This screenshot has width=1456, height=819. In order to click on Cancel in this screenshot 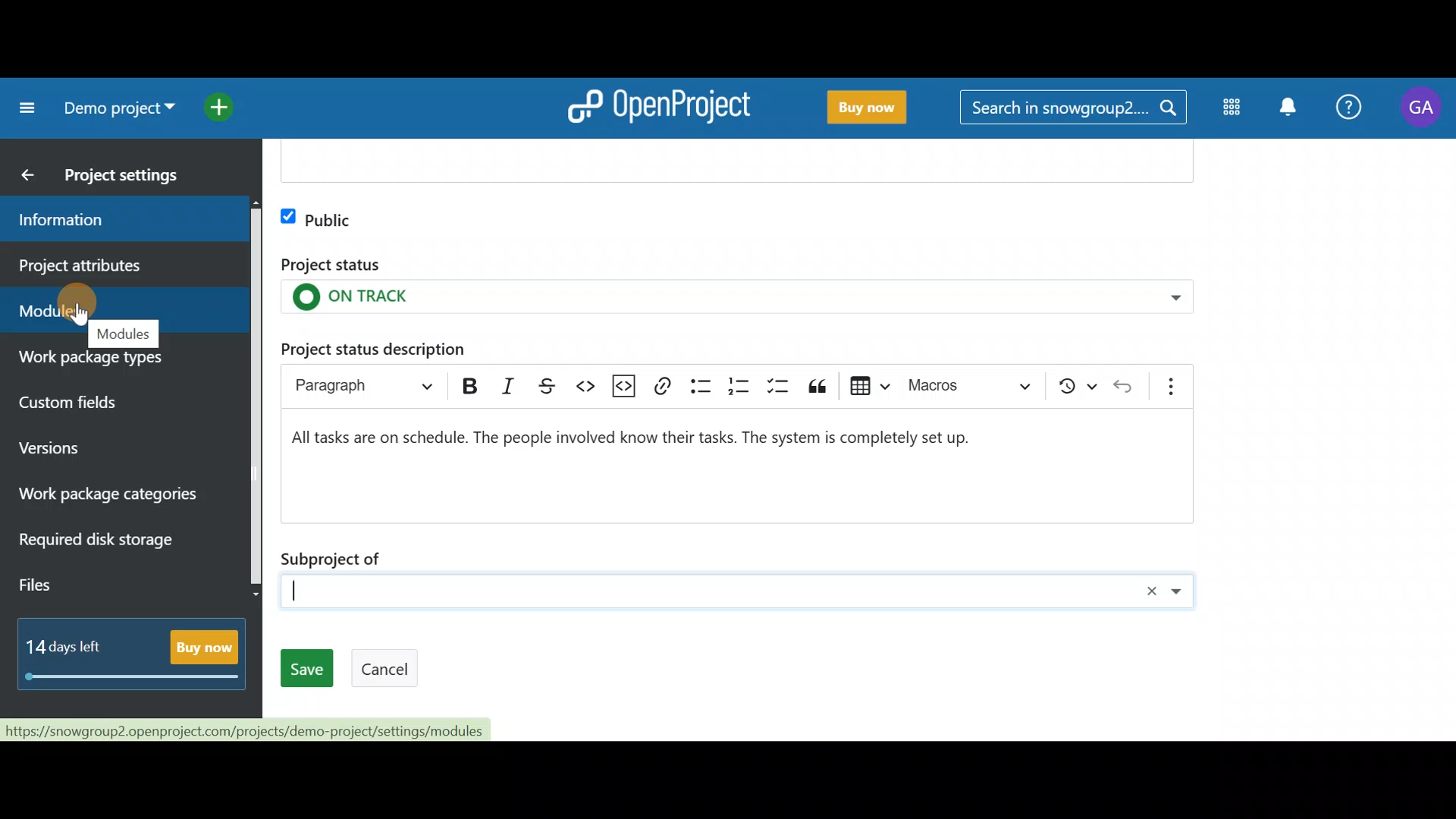, I will do `click(386, 669)`.